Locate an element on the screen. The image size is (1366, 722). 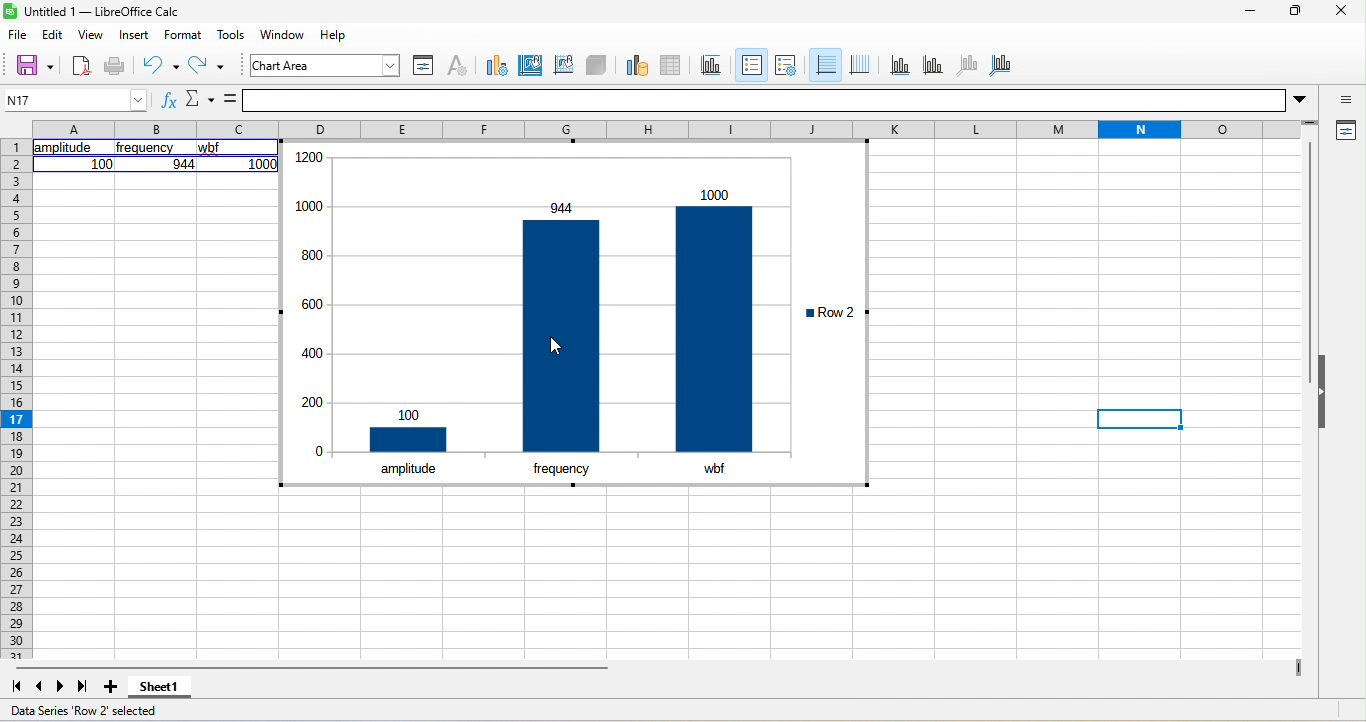
sidebar settings is located at coordinates (1343, 96).